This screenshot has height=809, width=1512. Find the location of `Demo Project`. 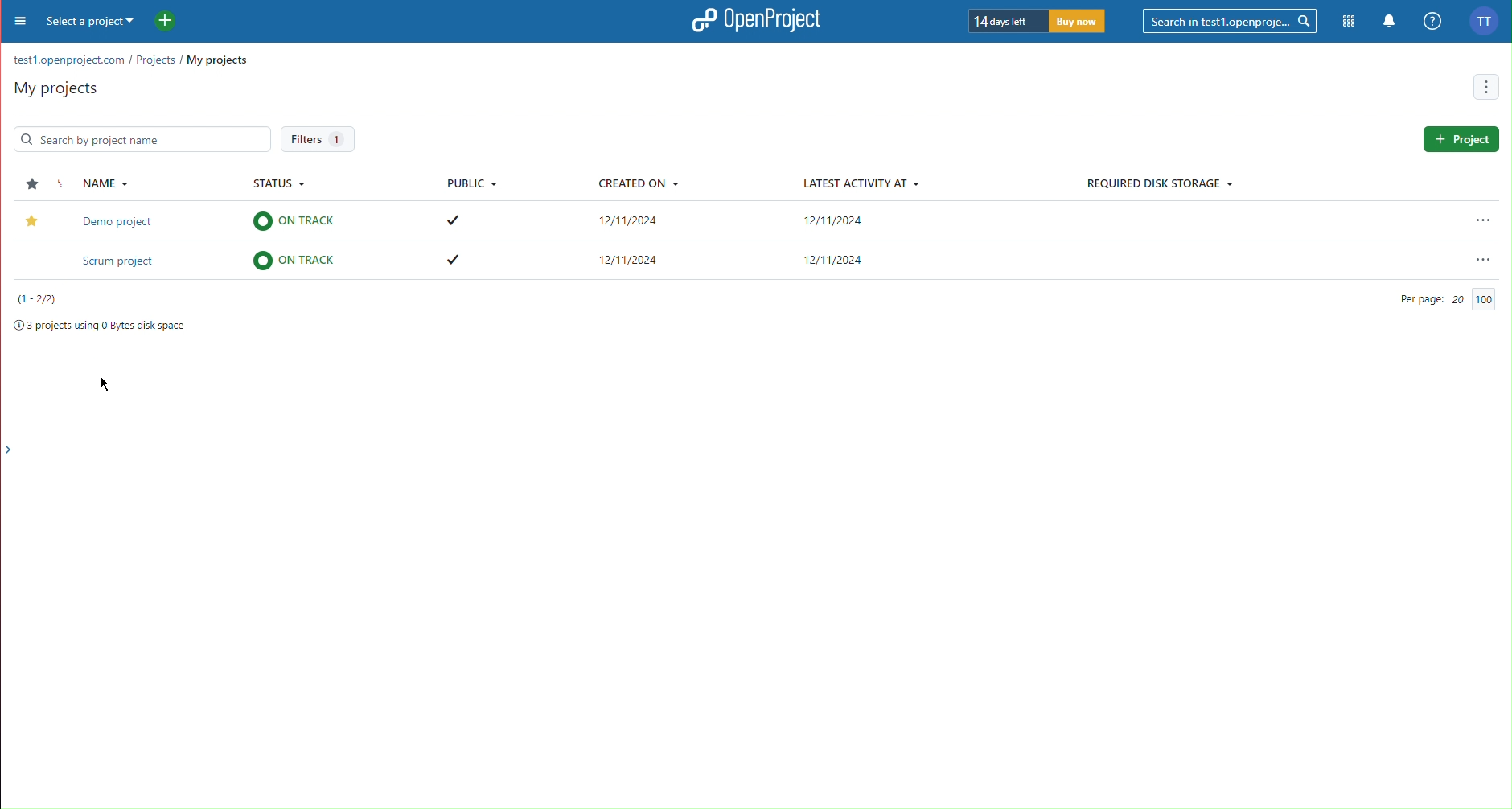

Demo Project is located at coordinates (762, 261).